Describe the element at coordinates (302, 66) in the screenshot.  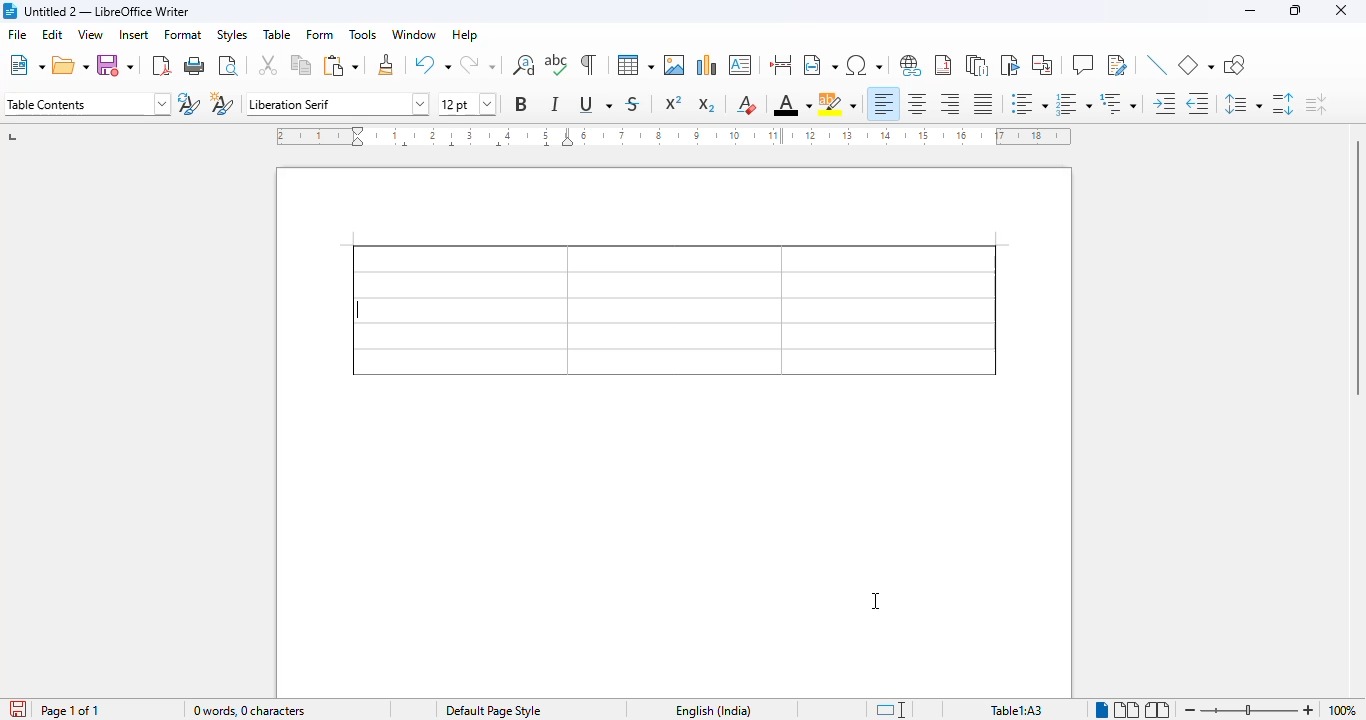
I see `copy` at that location.